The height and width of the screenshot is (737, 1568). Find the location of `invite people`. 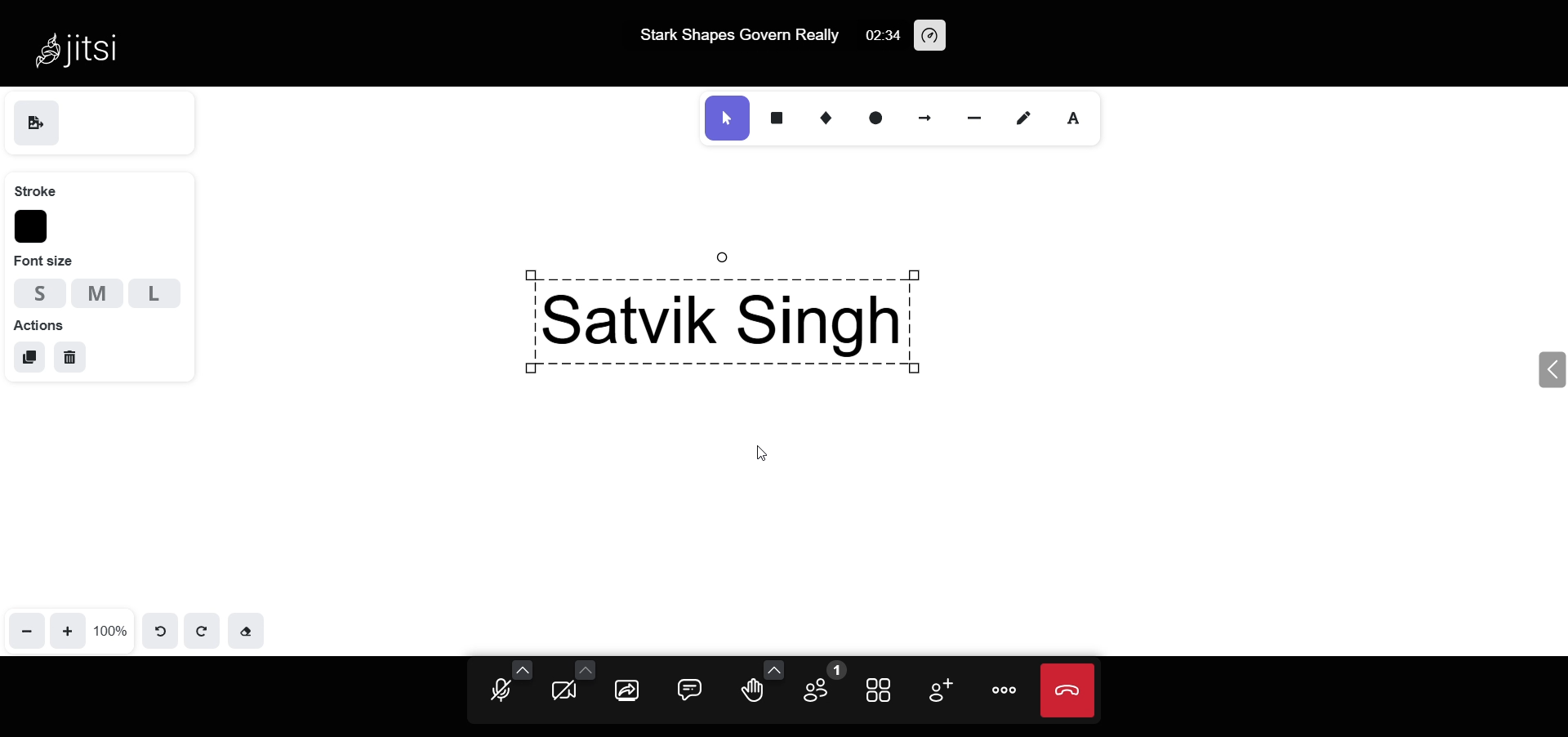

invite people is located at coordinates (936, 689).